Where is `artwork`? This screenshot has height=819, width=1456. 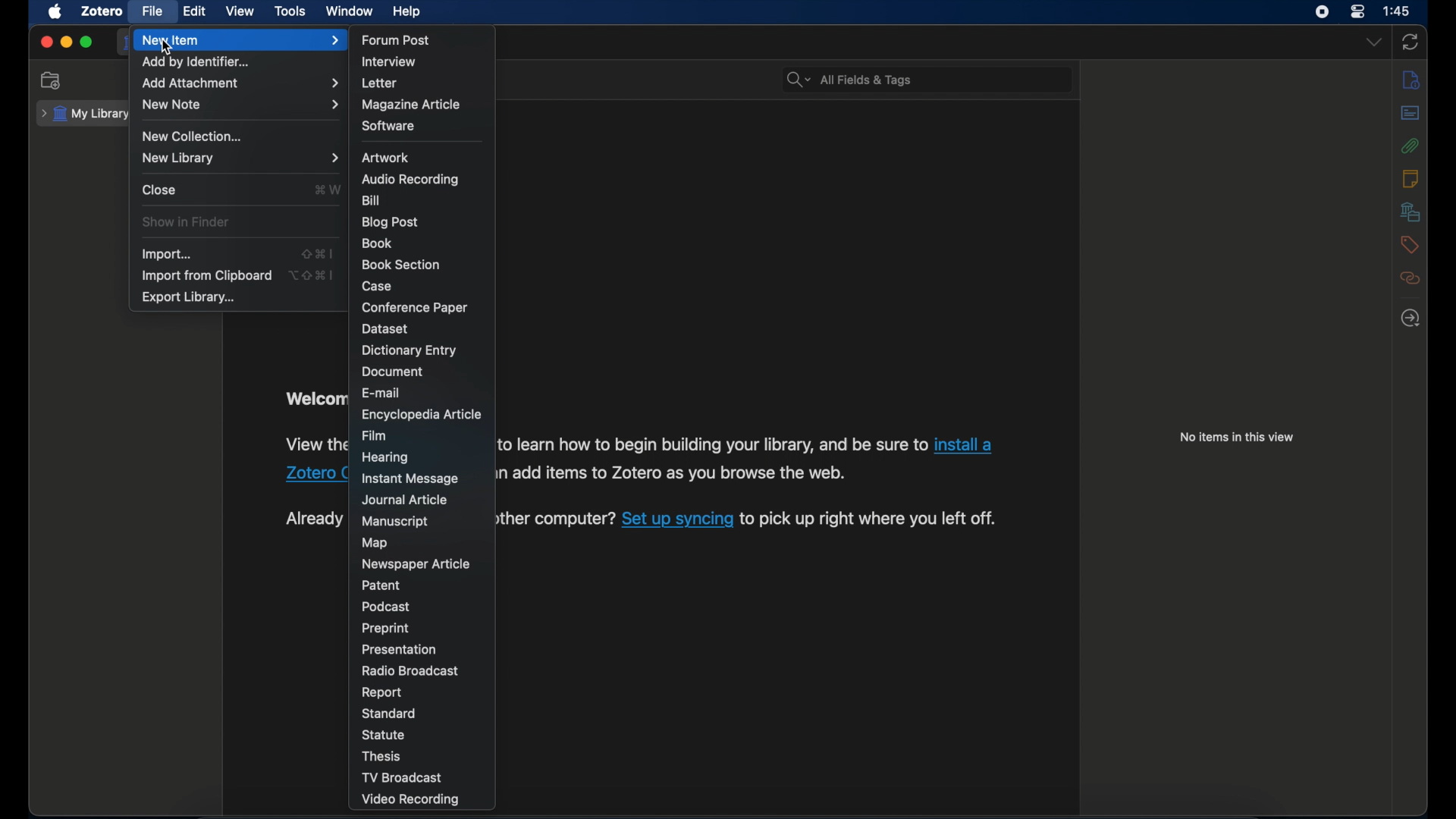
artwork is located at coordinates (385, 158).